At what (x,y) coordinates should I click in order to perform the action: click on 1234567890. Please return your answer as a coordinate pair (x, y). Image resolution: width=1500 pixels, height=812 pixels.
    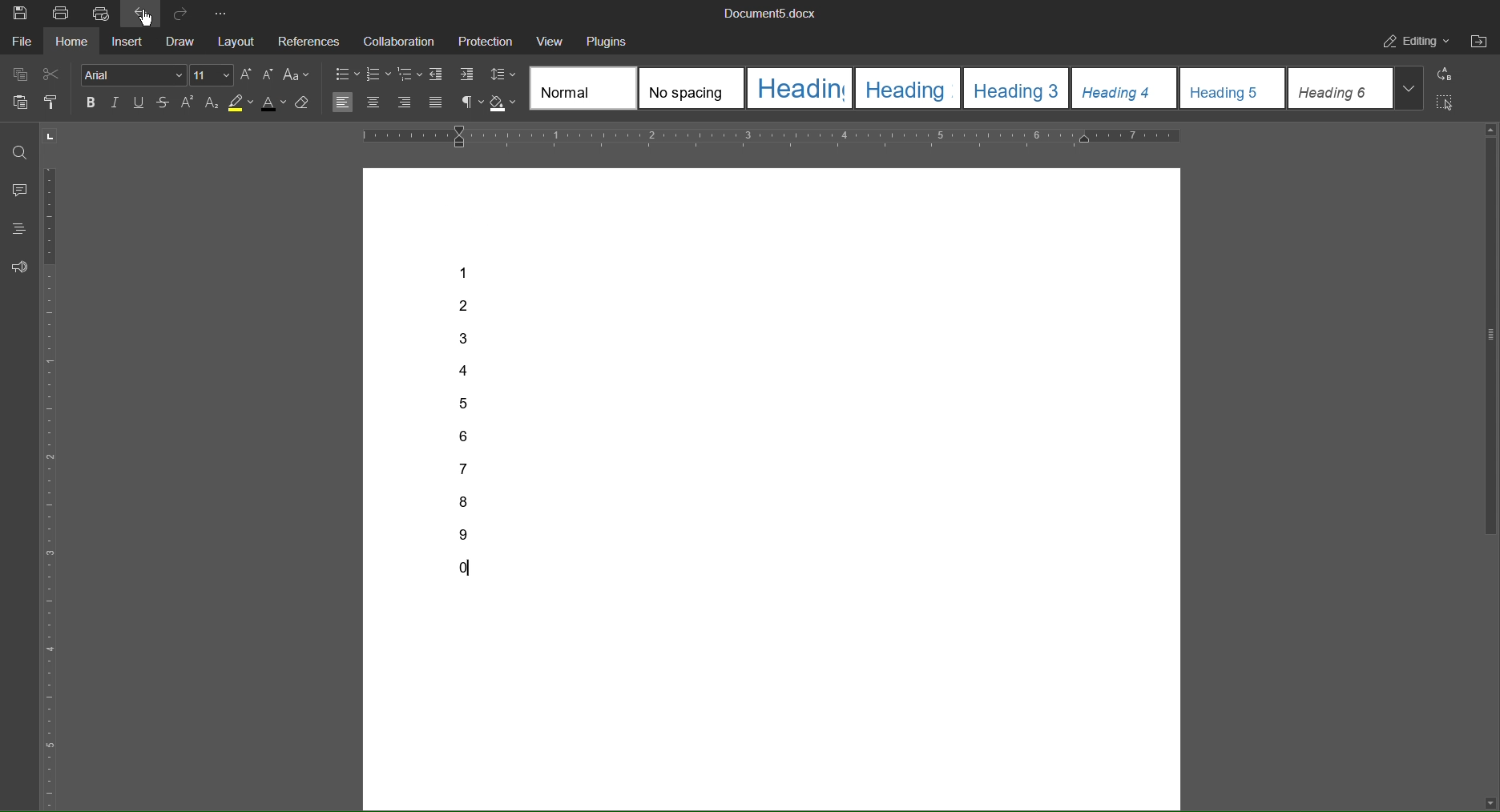
    Looking at the image, I should click on (472, 426).